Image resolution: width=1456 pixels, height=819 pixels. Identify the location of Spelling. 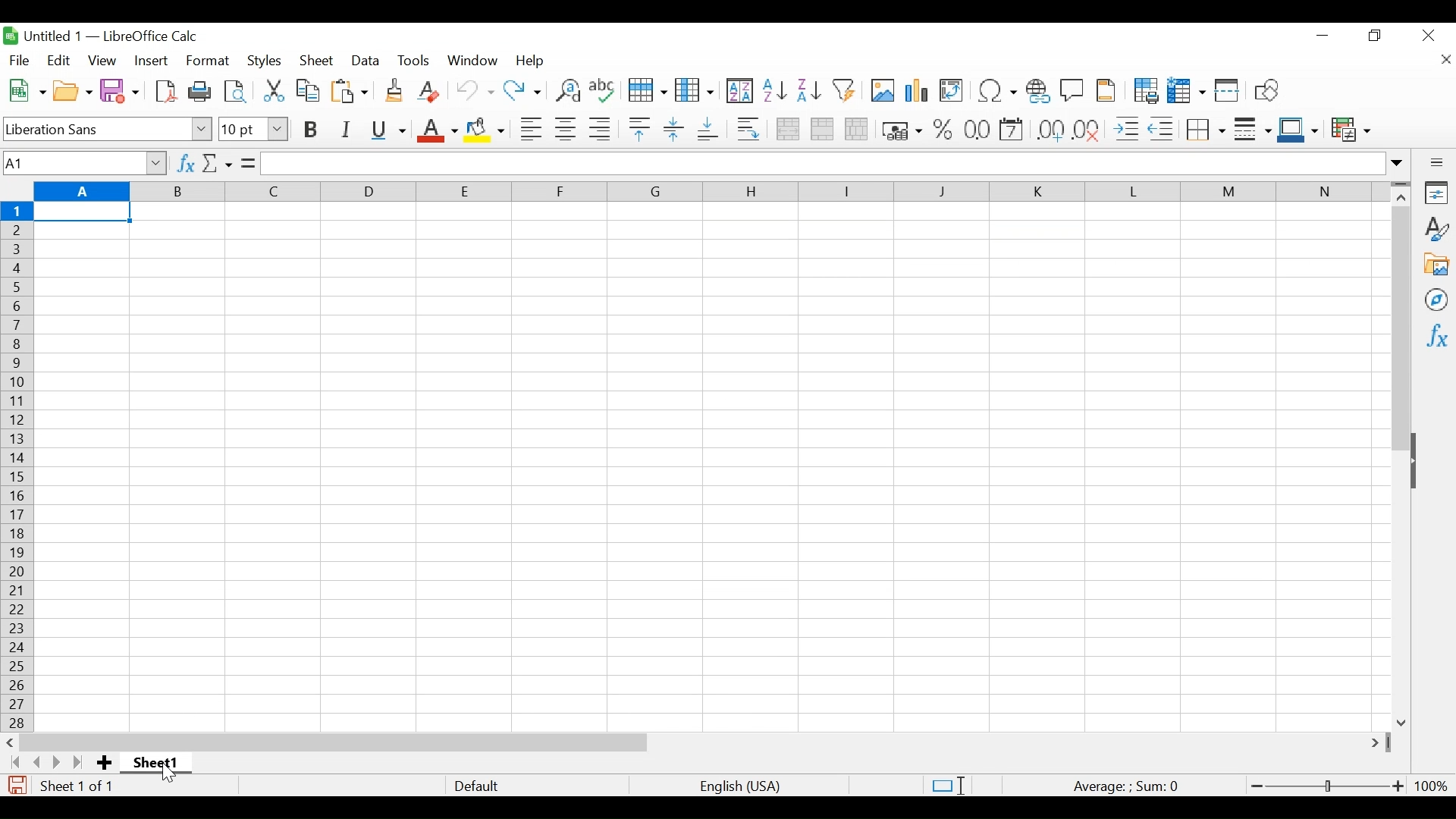
(601, 91).